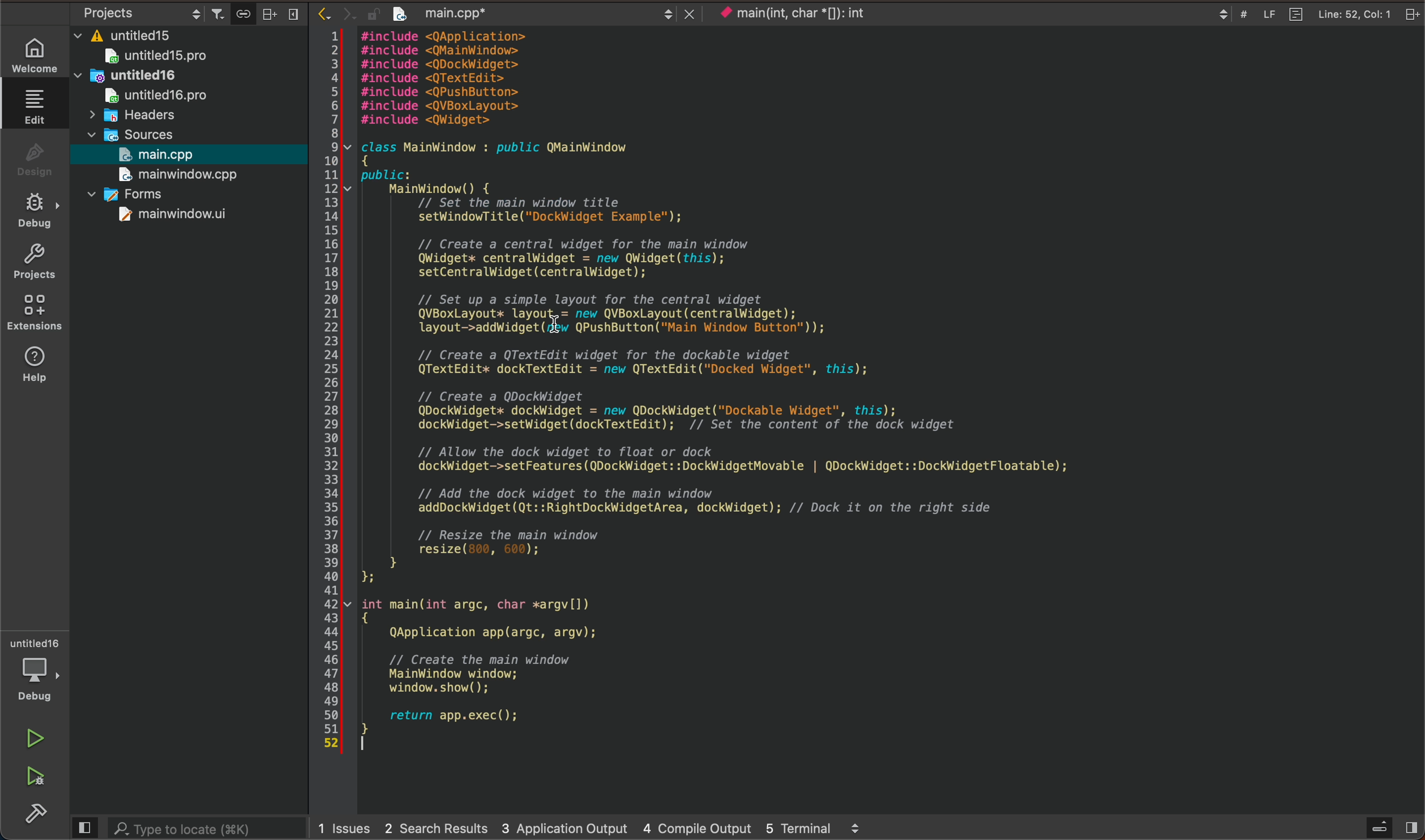  What do you see at coordinates (220, 11) in the screenshot?
I see `filter` at bounding box center [220, 11].